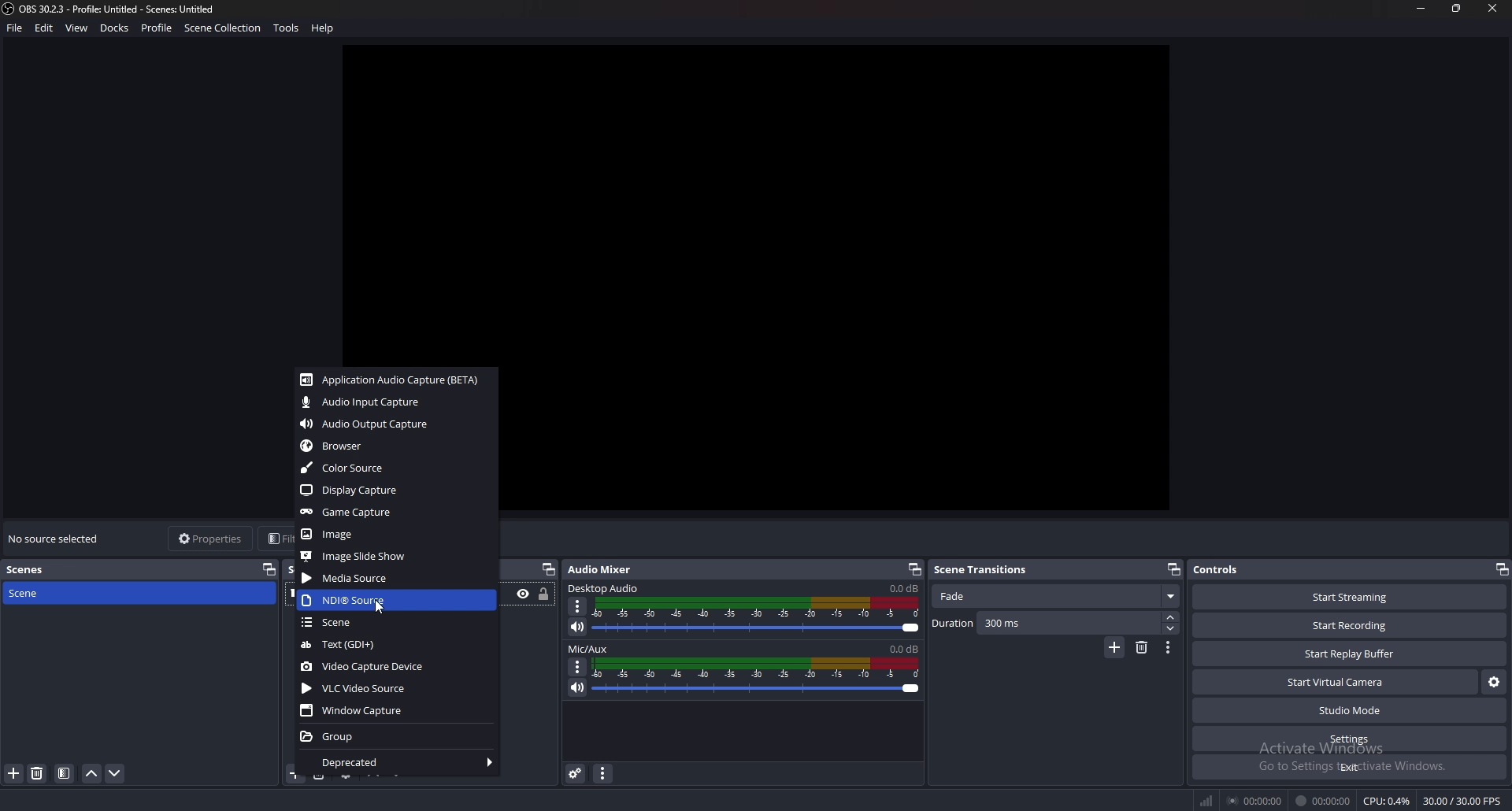 Image resolution: width=1512 pixels, height=811 pixels. What do you see at coordinates (78, 28) in the screenshot?
I see `view` at bounding box center [78, 28].